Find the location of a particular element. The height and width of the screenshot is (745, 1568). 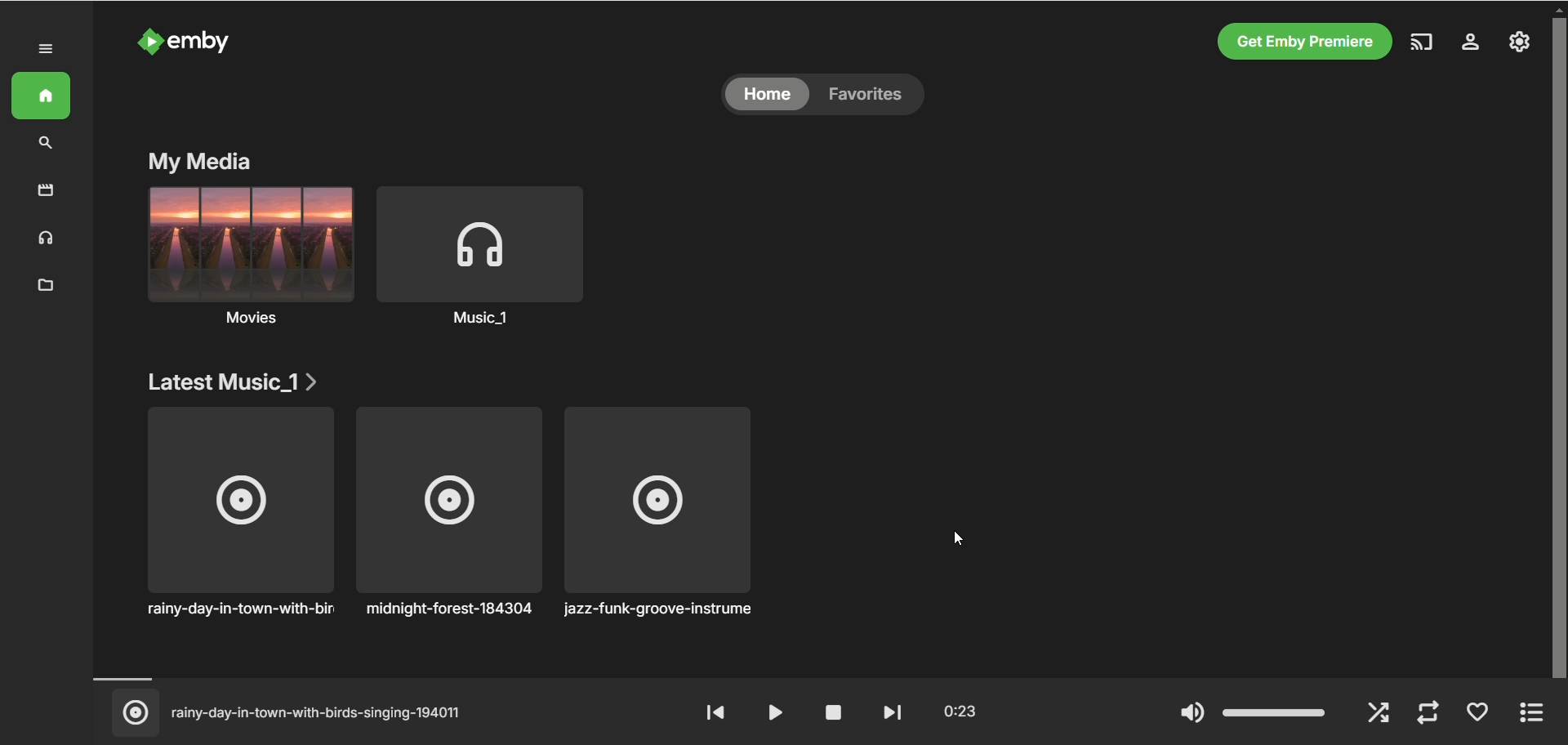

stop is located at coordinates (835, 713).